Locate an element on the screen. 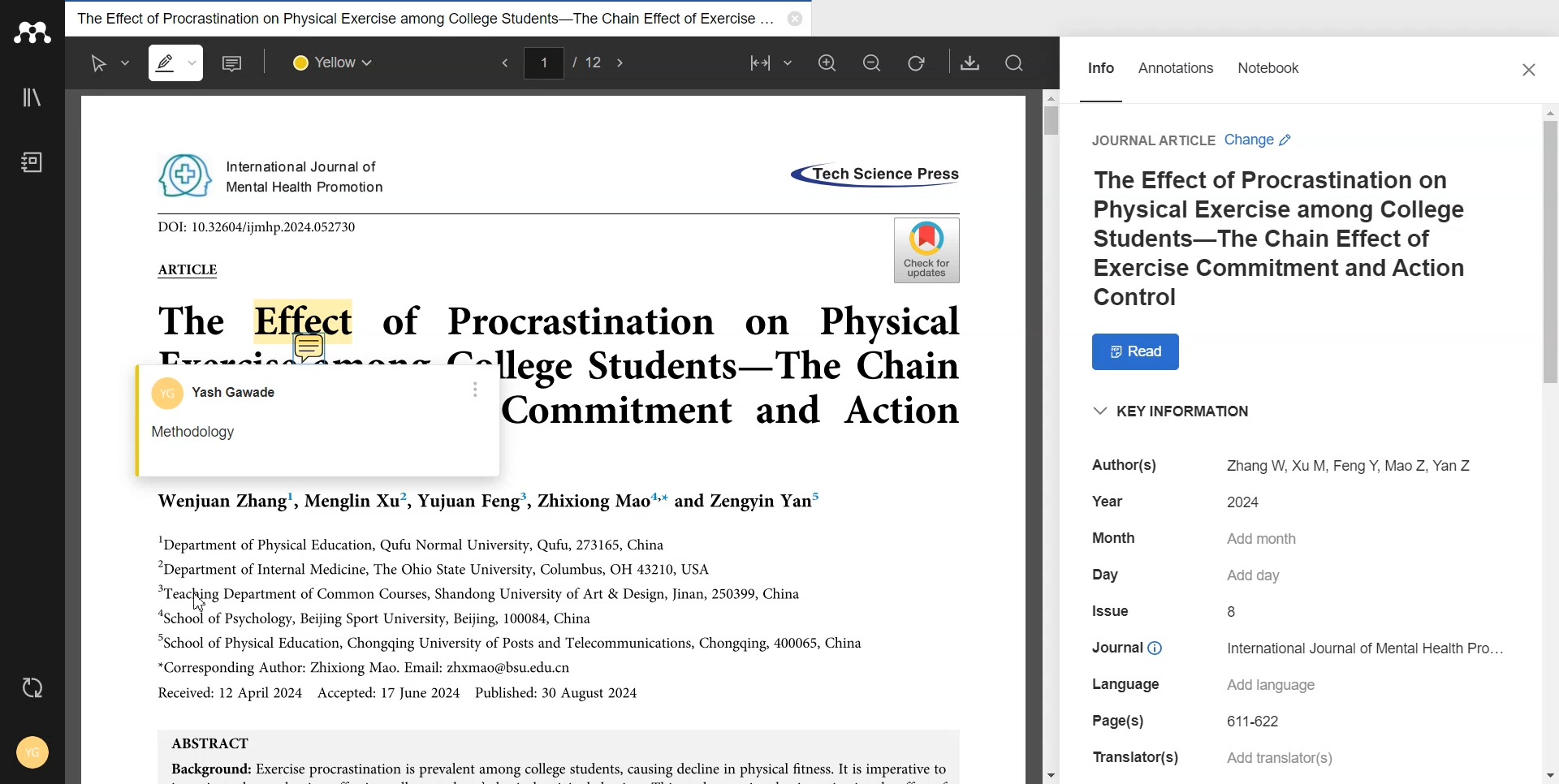 Image resolution: width=1559 pixels, height=784 pixels. Next is located at coordinates (619, 63).